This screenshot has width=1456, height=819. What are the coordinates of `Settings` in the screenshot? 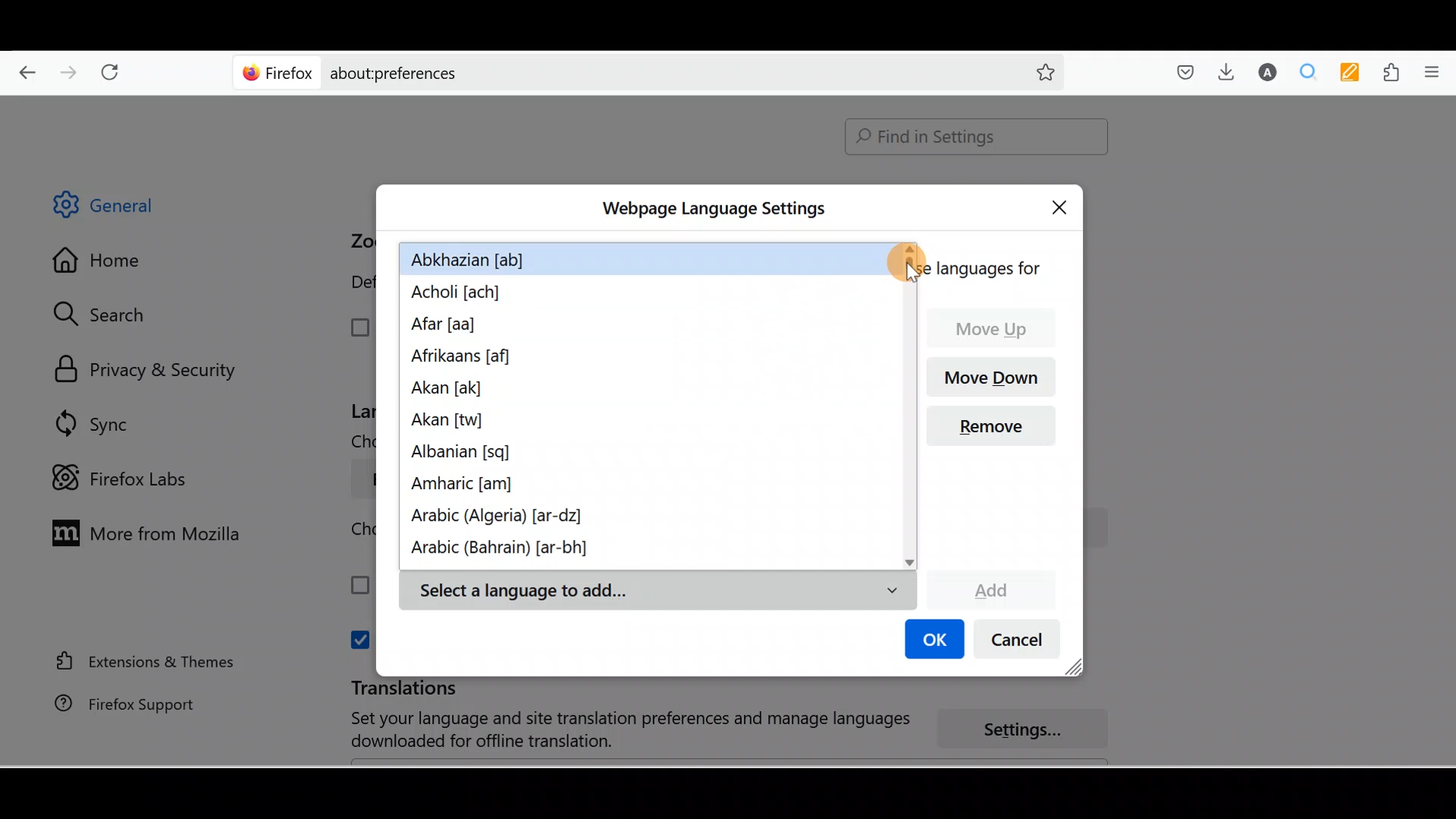 It's located at (1031, 730).